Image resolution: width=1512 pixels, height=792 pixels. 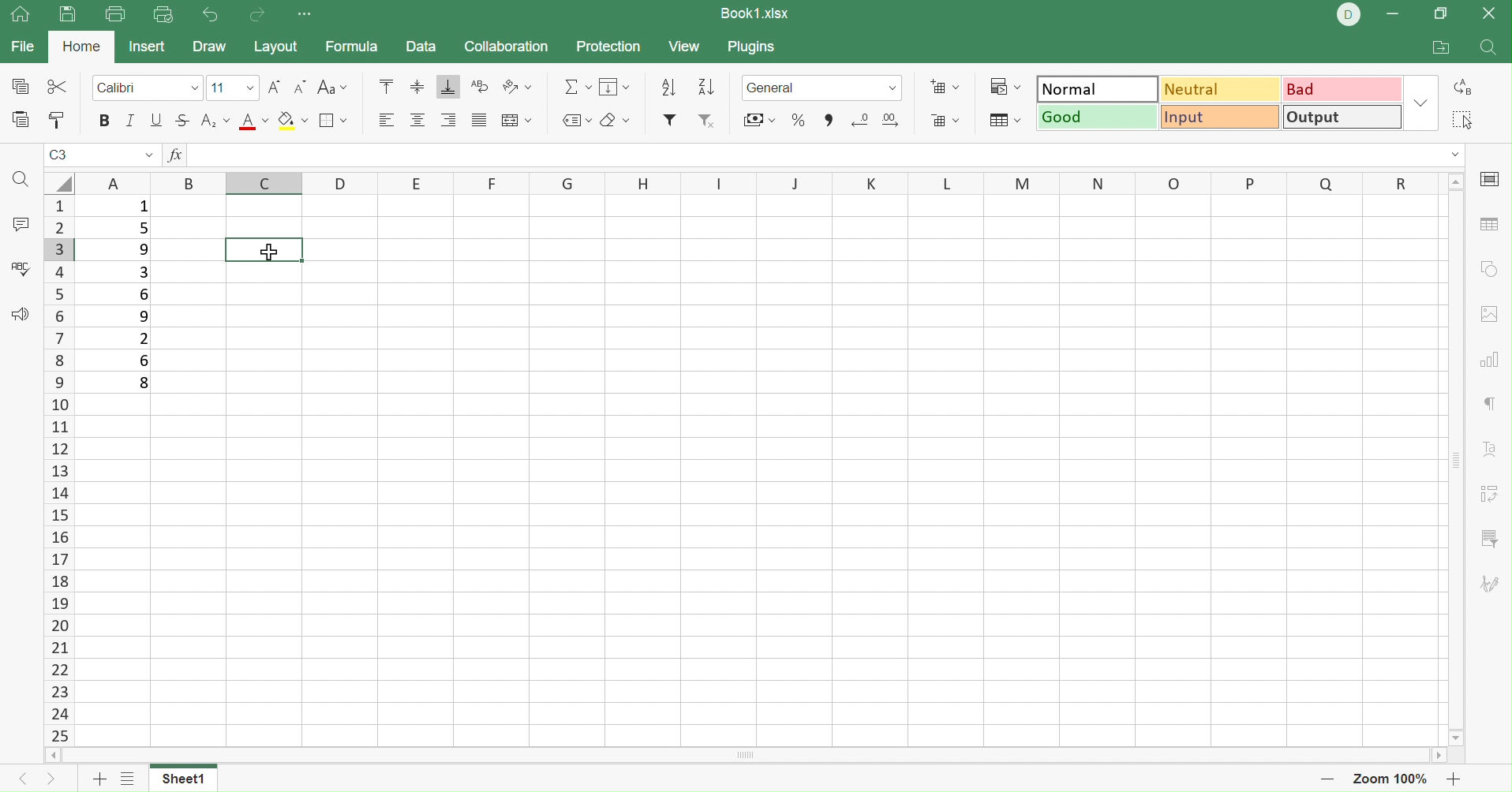 What do you see at coordinates (141, 340) in the screenshot?
I see `2` at bounding box center [141, 340].